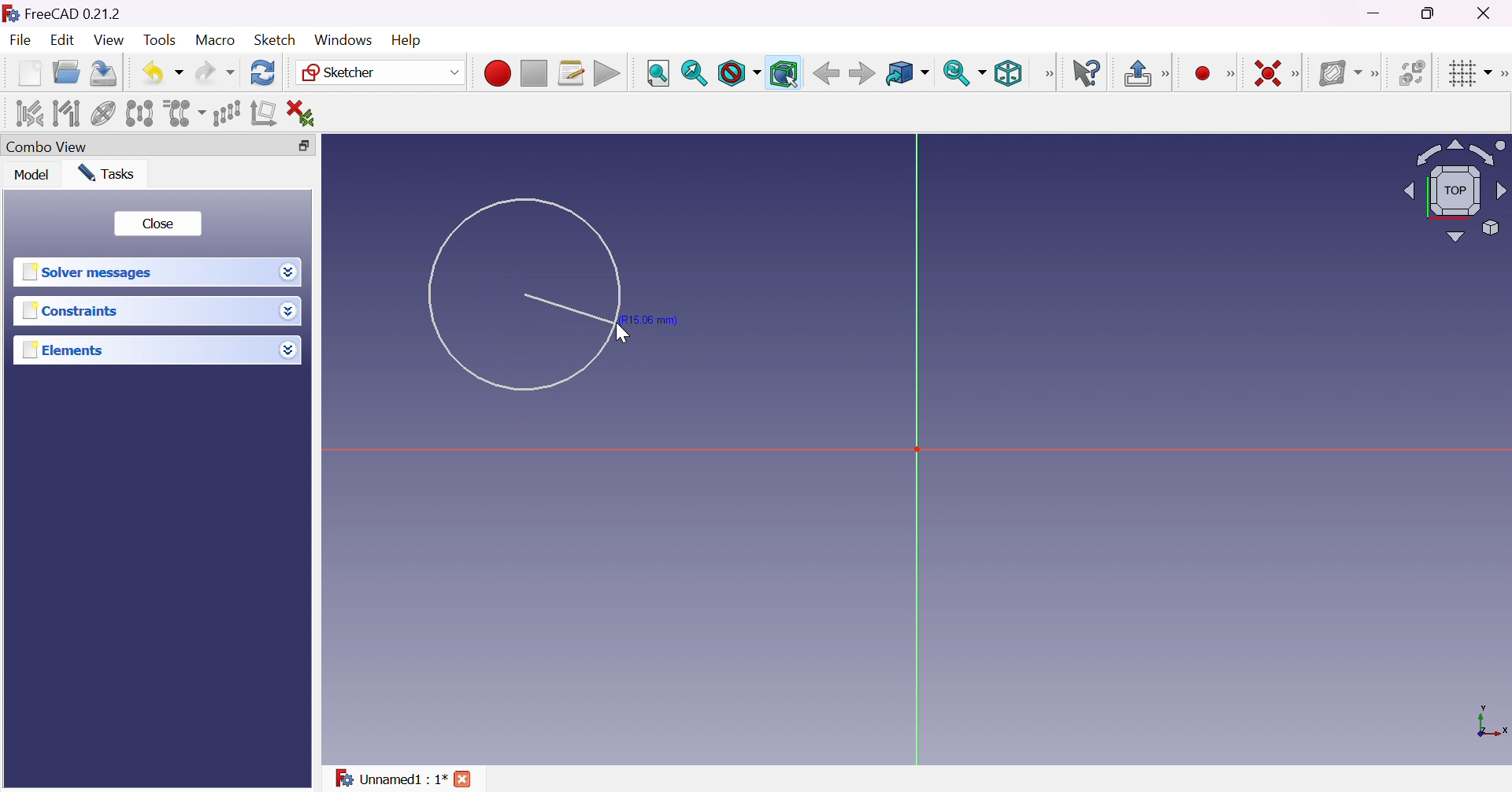 Image resolution: width=1512 pixels, height=792 pixels. Describe the element at coordinates (106, 172) in the screenshot. I see `Tasks` at that location.